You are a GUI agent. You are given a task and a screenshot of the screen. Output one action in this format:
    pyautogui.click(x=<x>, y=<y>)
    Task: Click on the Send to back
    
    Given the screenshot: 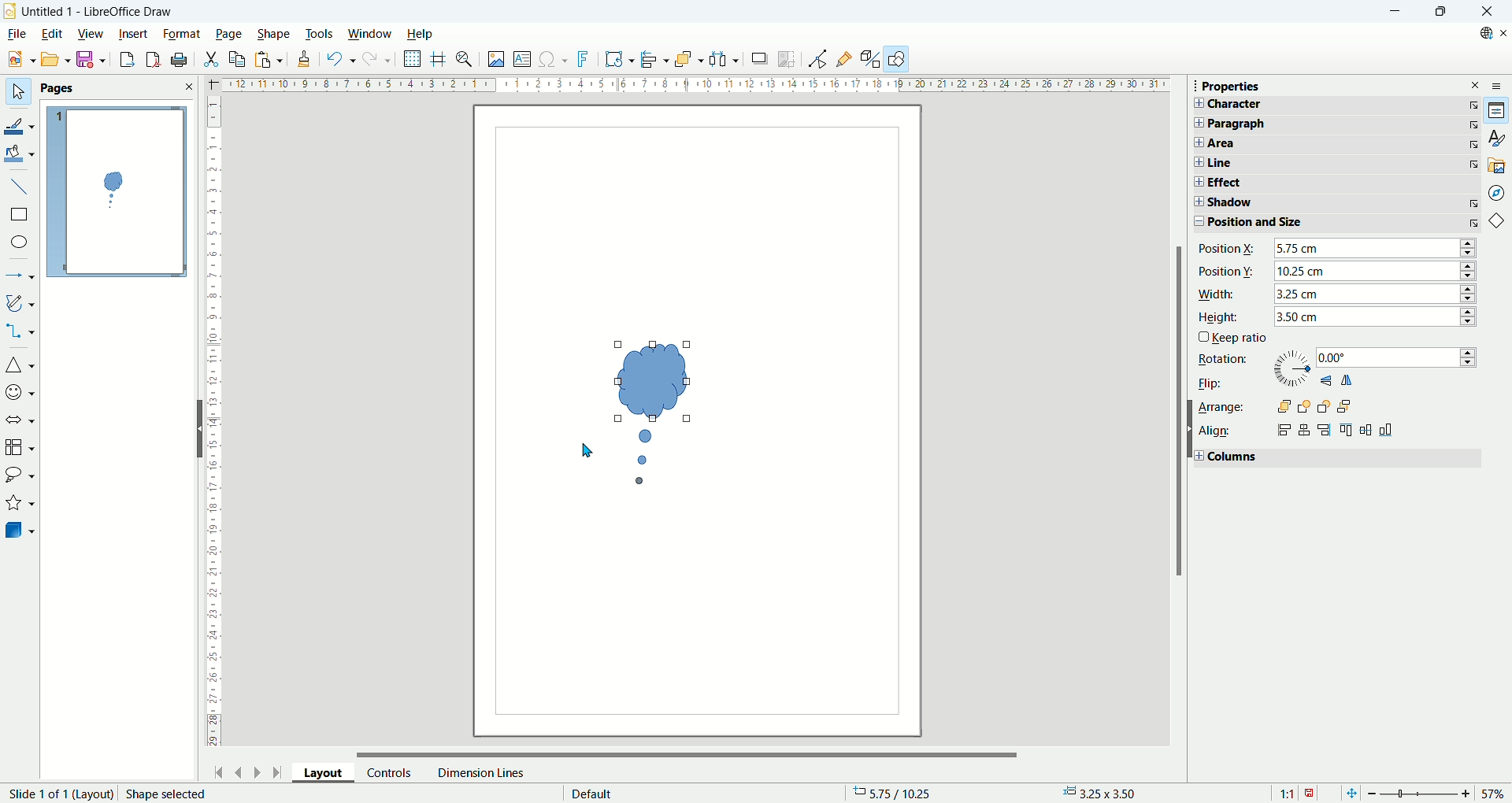 What is the action you would take?
    pyautogui.click(x=1344, y=406)
    